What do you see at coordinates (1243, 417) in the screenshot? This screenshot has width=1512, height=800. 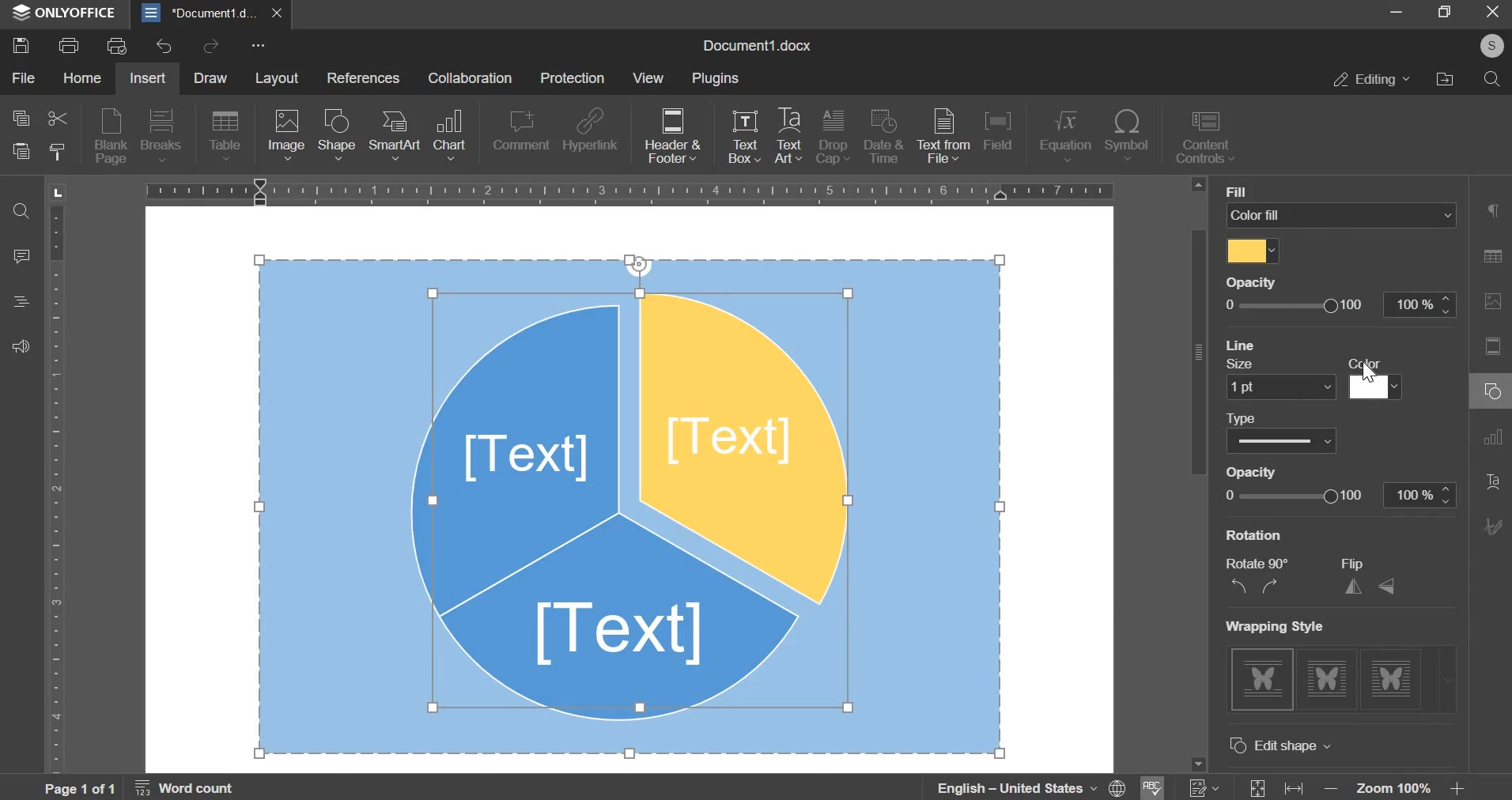 I see `` at bounding box center [1243, 417].